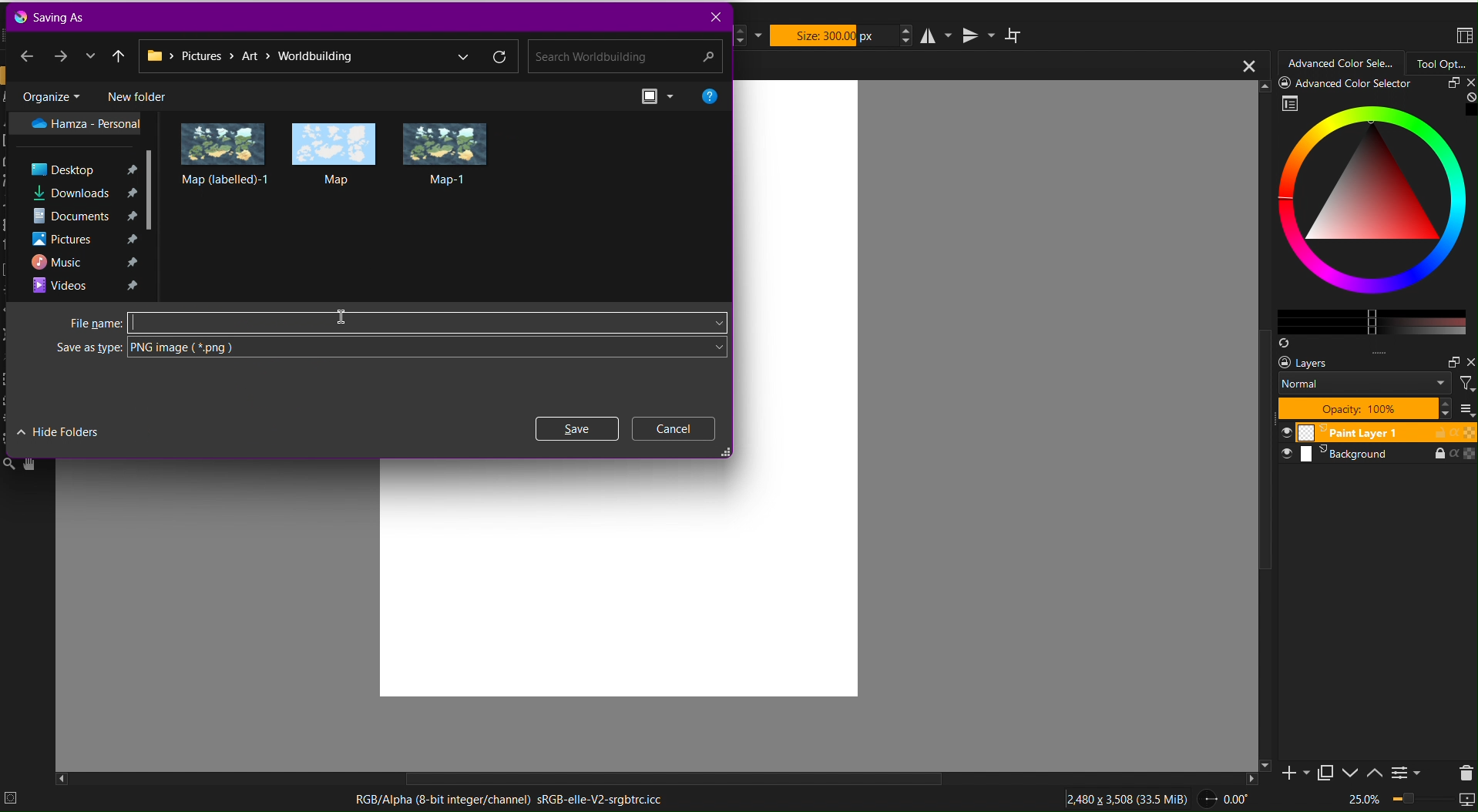  I want to click on Close, so click(714, 17).